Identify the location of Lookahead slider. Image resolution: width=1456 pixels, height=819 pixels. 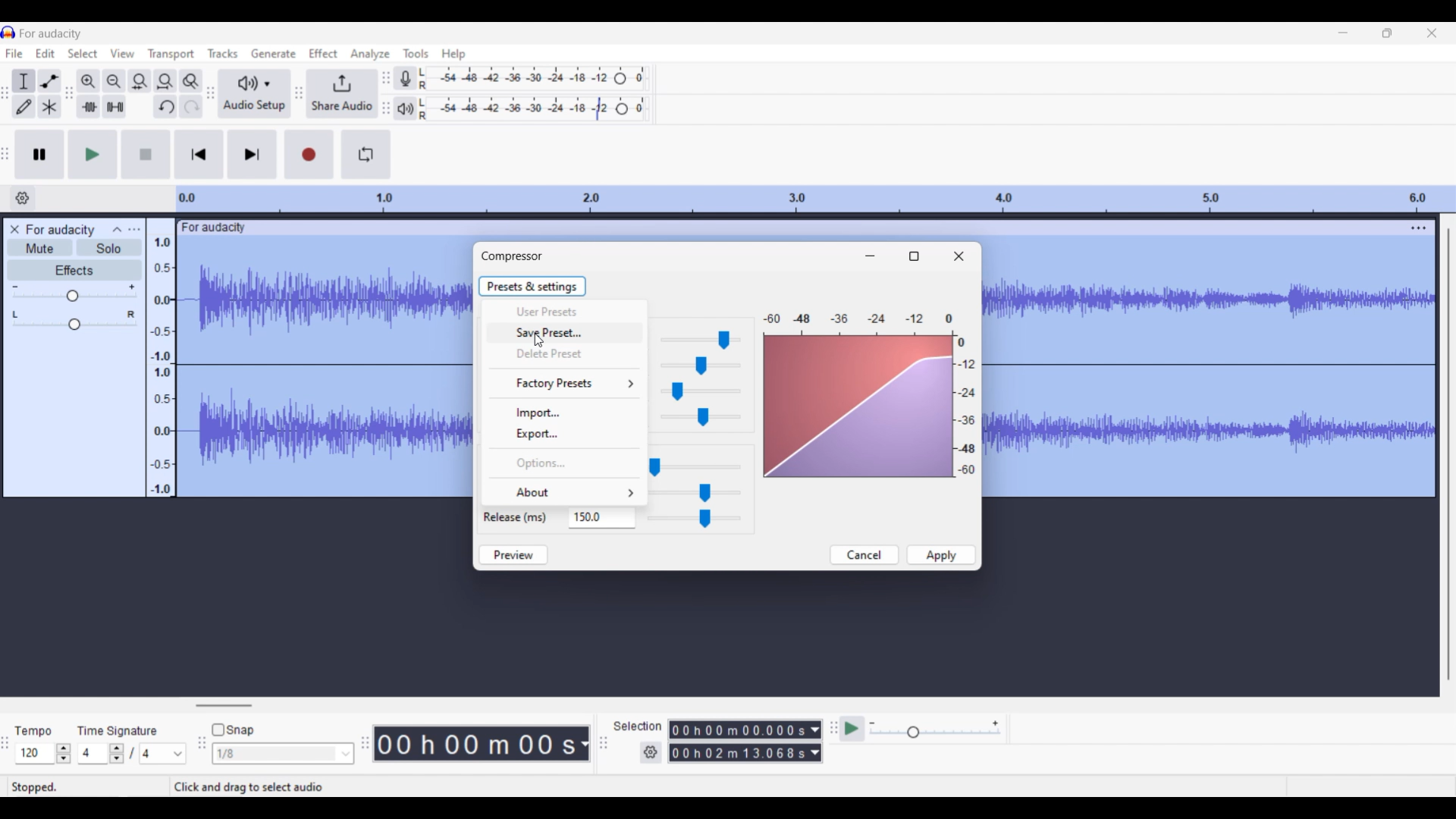
(694, 467).